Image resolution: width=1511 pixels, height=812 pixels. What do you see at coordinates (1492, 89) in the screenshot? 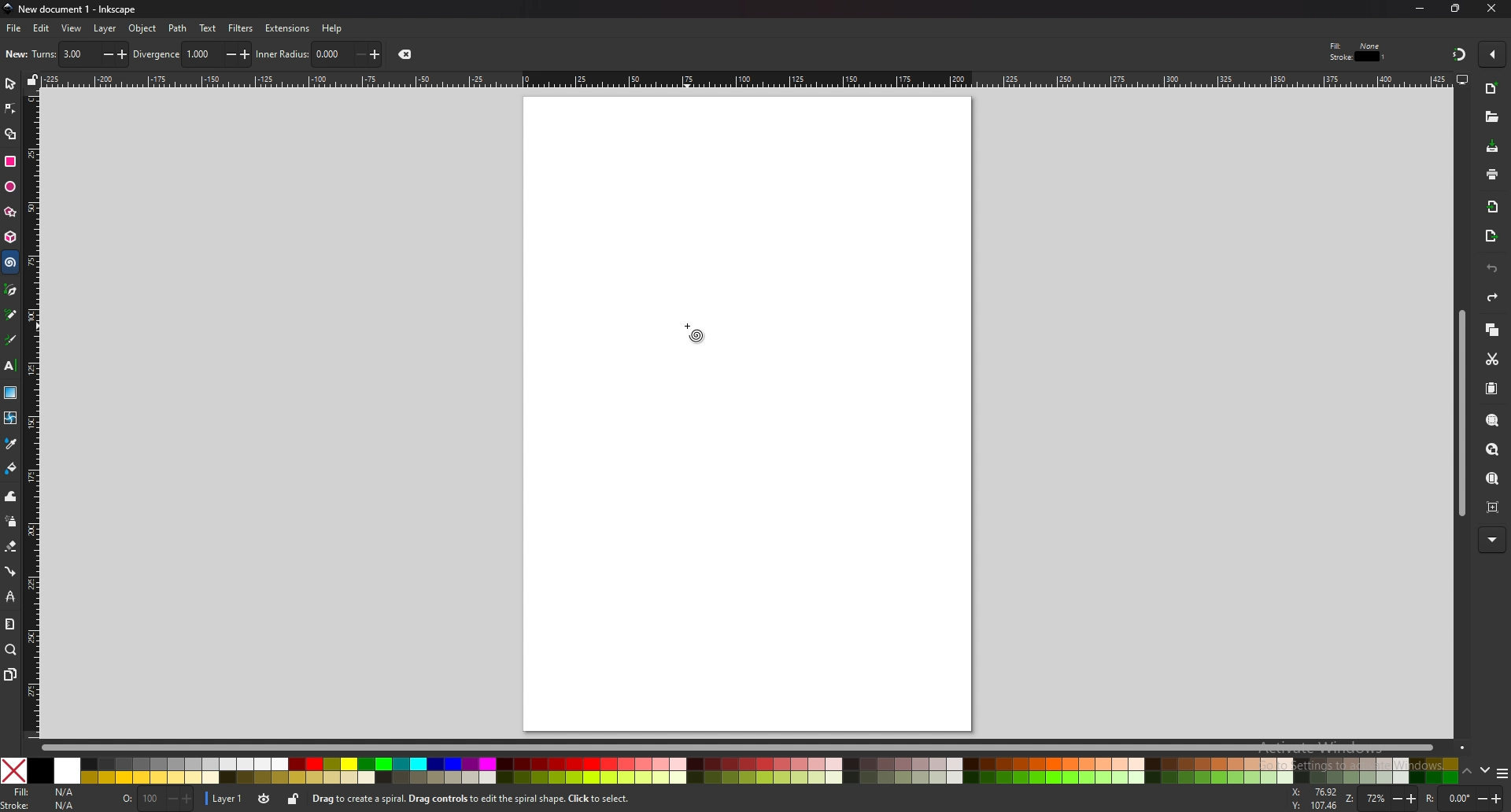
I see `new` at bounding box center [1492, 89].